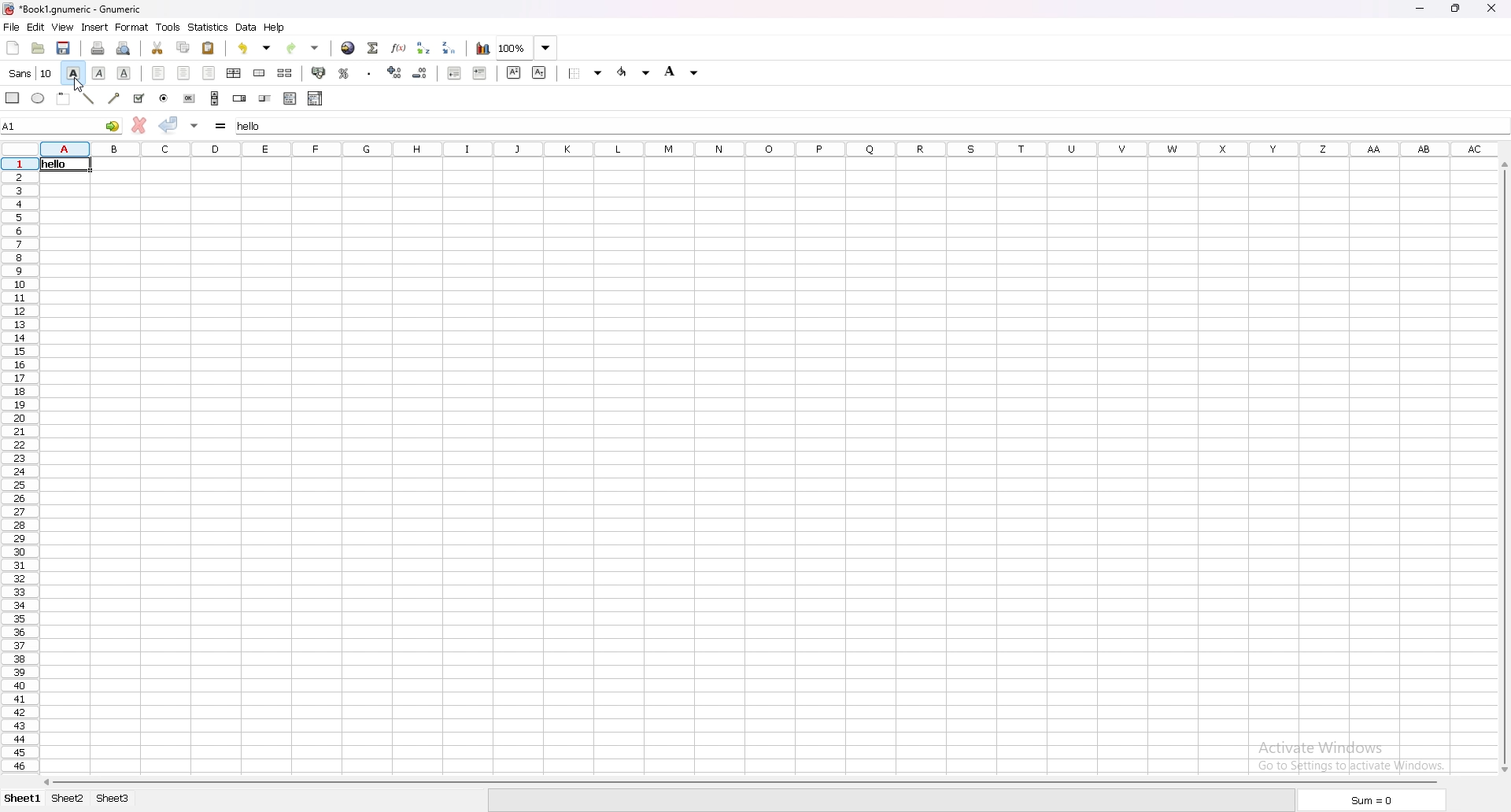  I want to click on background, so click(636, 72).